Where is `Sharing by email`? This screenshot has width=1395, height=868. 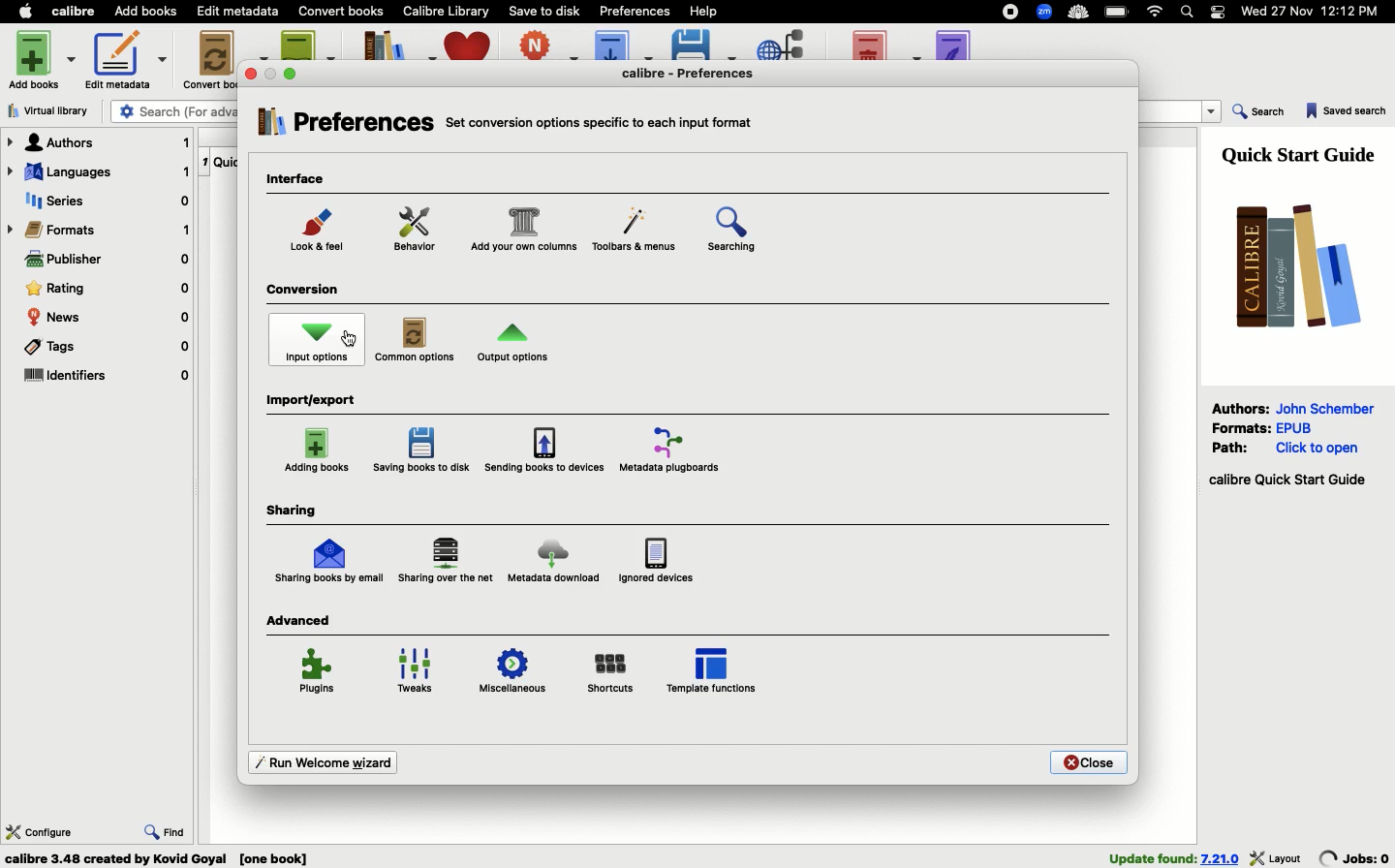 Sharing by email is located at coordinates (328, 562).